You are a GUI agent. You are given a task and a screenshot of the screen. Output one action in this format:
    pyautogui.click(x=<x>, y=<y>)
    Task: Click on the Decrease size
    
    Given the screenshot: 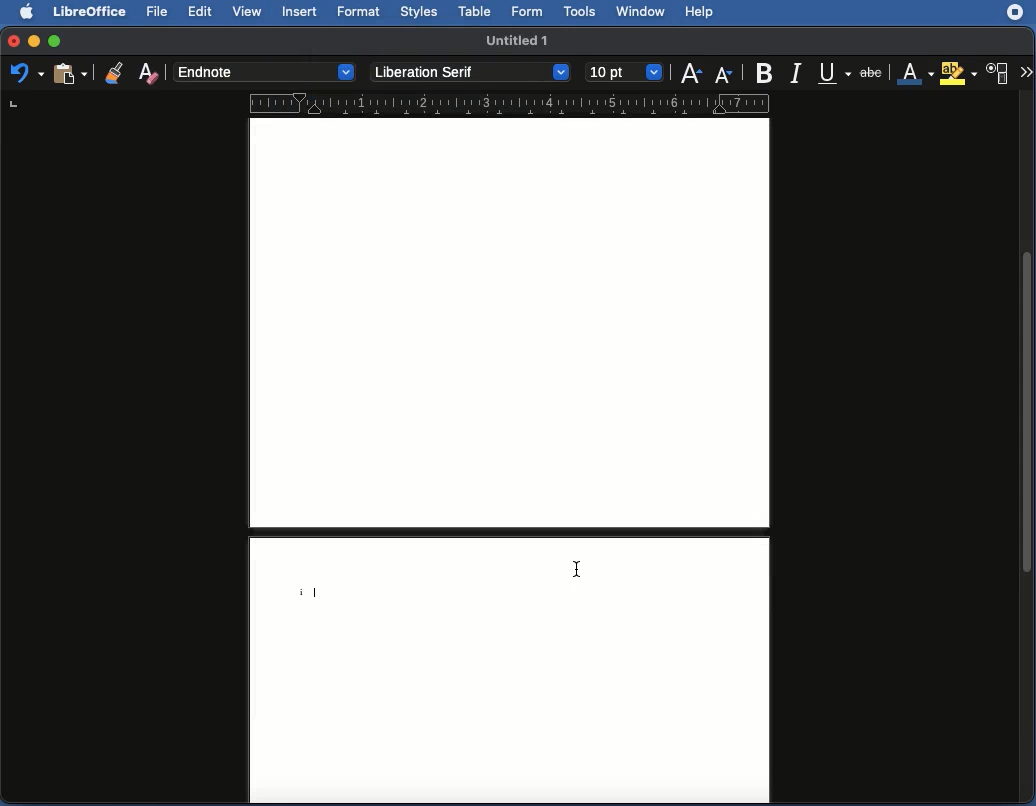 What is the action you would take?
    pyautogui.click(x=726, y=71)
    